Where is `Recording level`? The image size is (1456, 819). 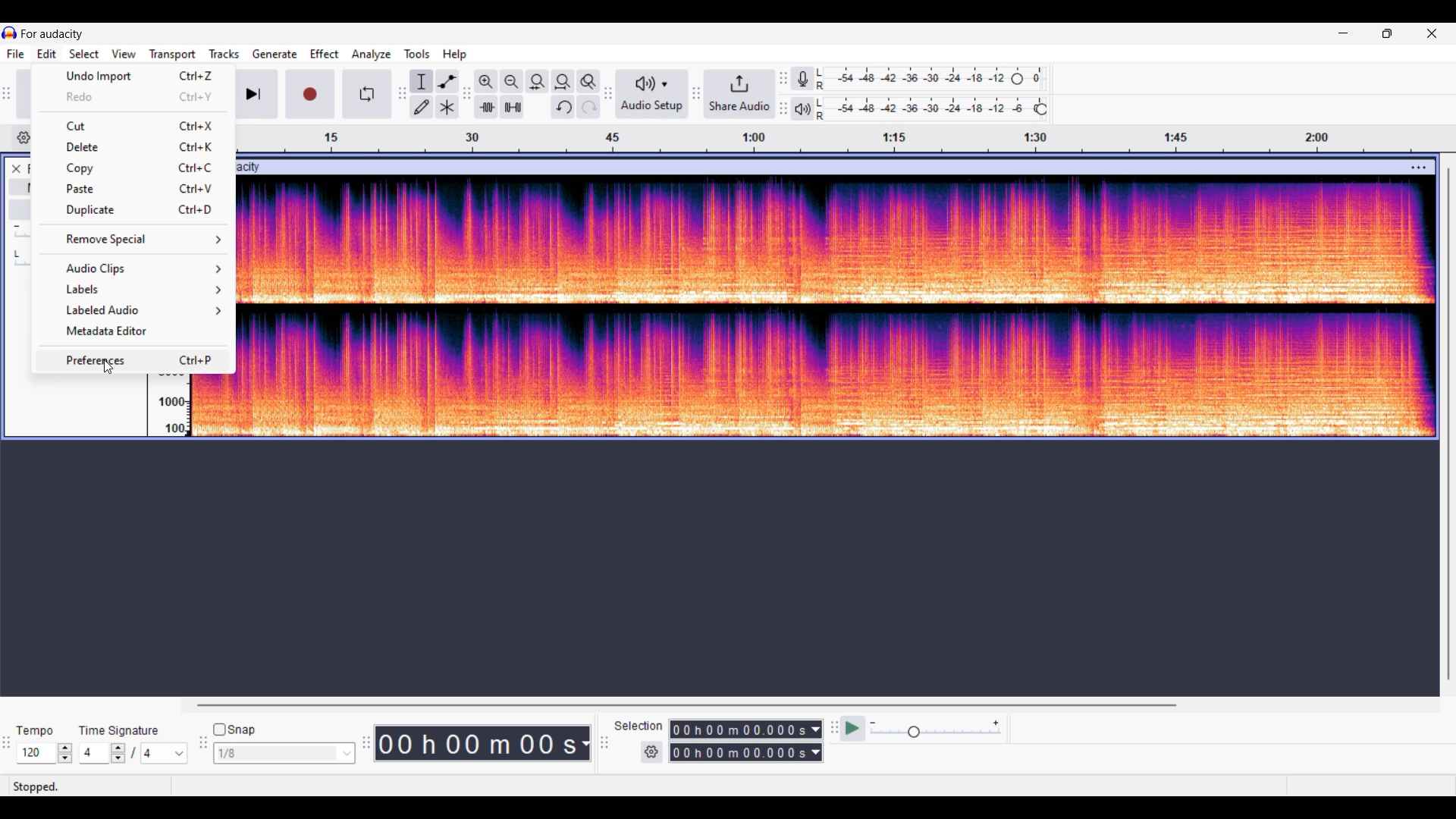 Recording level is located at coordinates (930, 79).